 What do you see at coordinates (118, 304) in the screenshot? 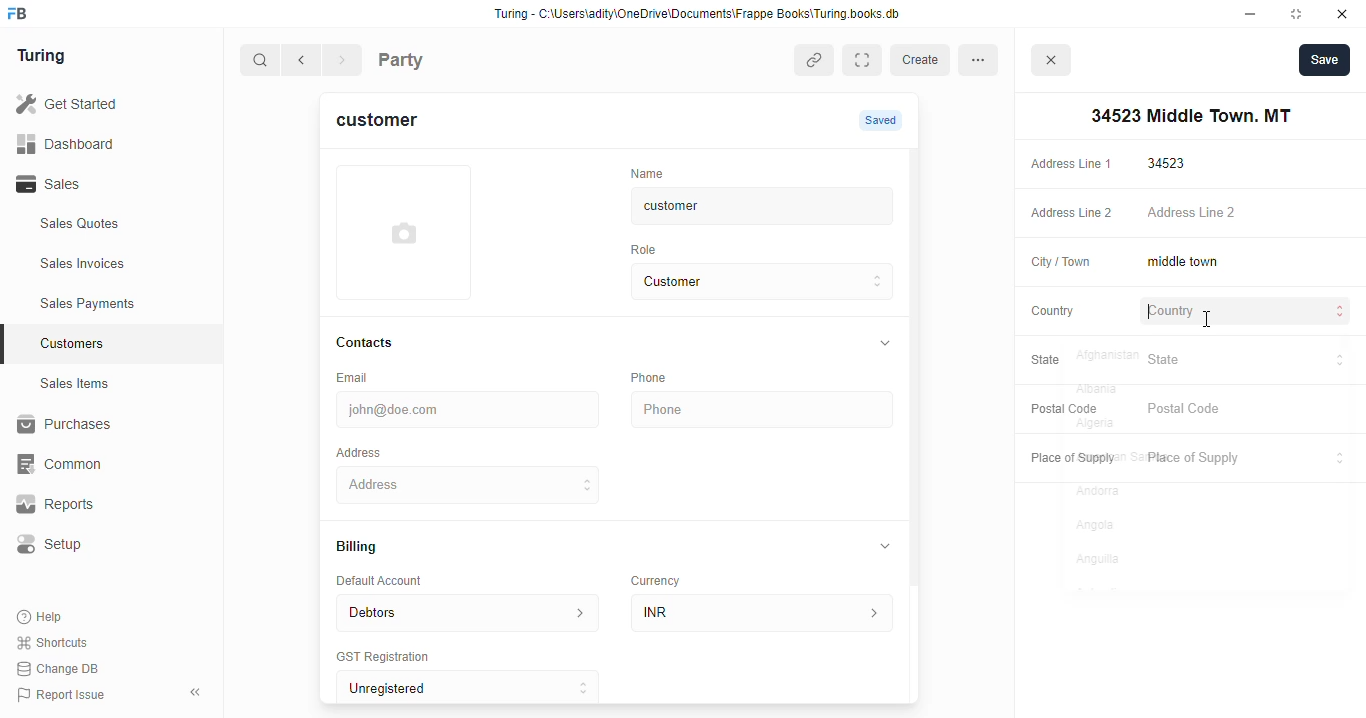
I see `Sales Payments` at bounding box center [118, 304].